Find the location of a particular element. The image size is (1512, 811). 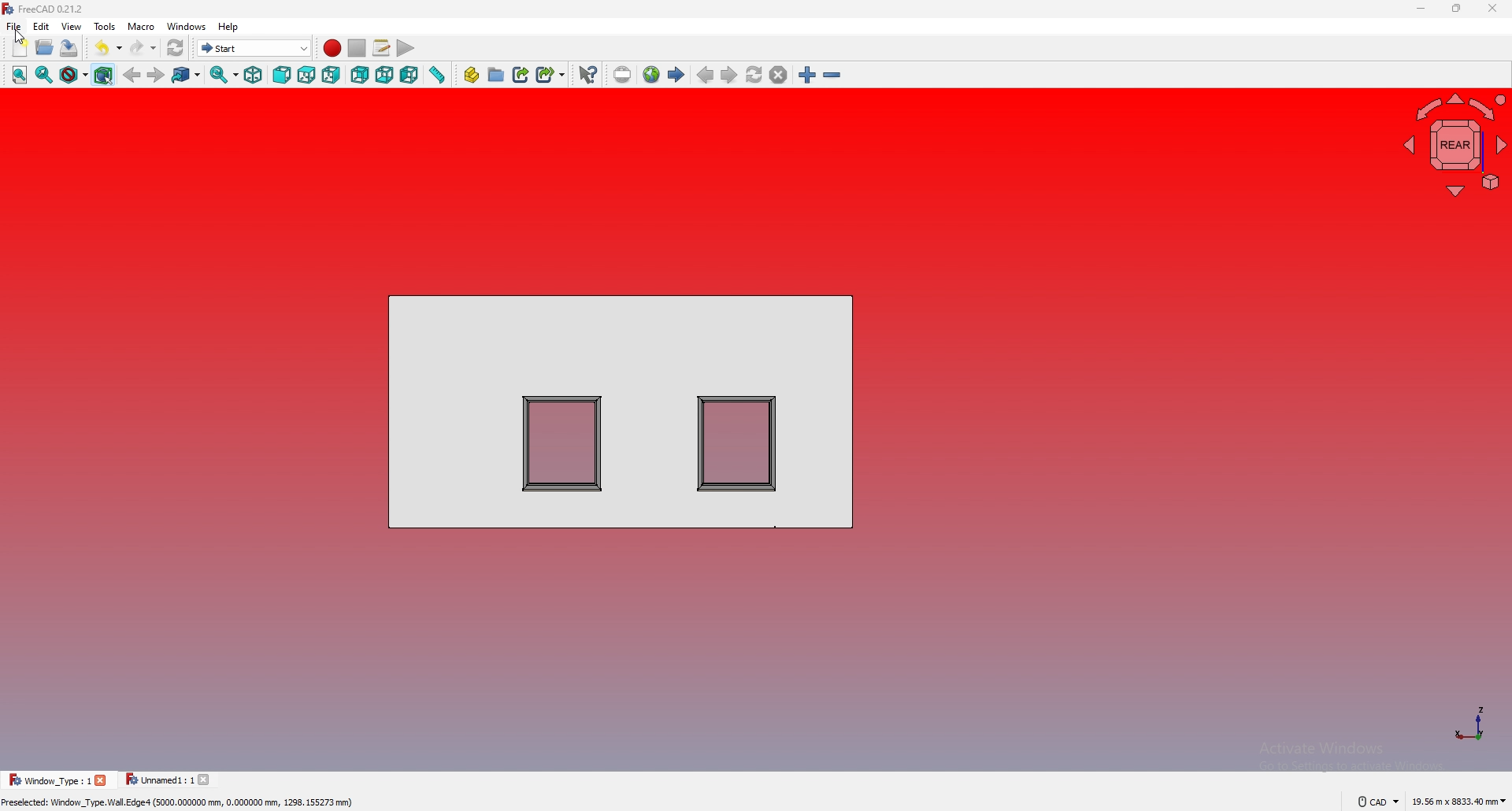

create part is located at coordinates (472, 76).